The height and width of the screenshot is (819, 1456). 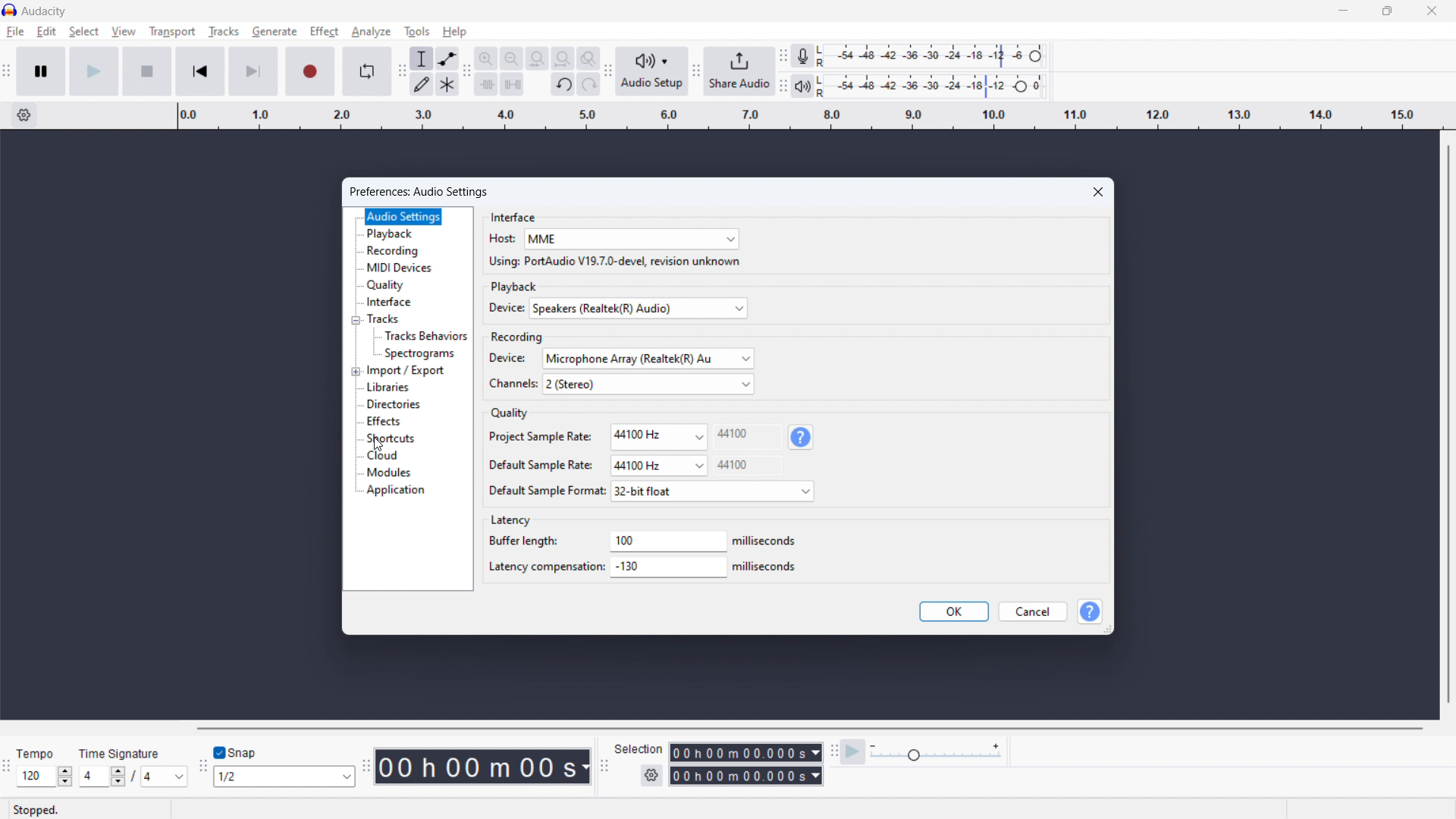 I want to click on vertical scrollbar, so click(x=1450, y=424).